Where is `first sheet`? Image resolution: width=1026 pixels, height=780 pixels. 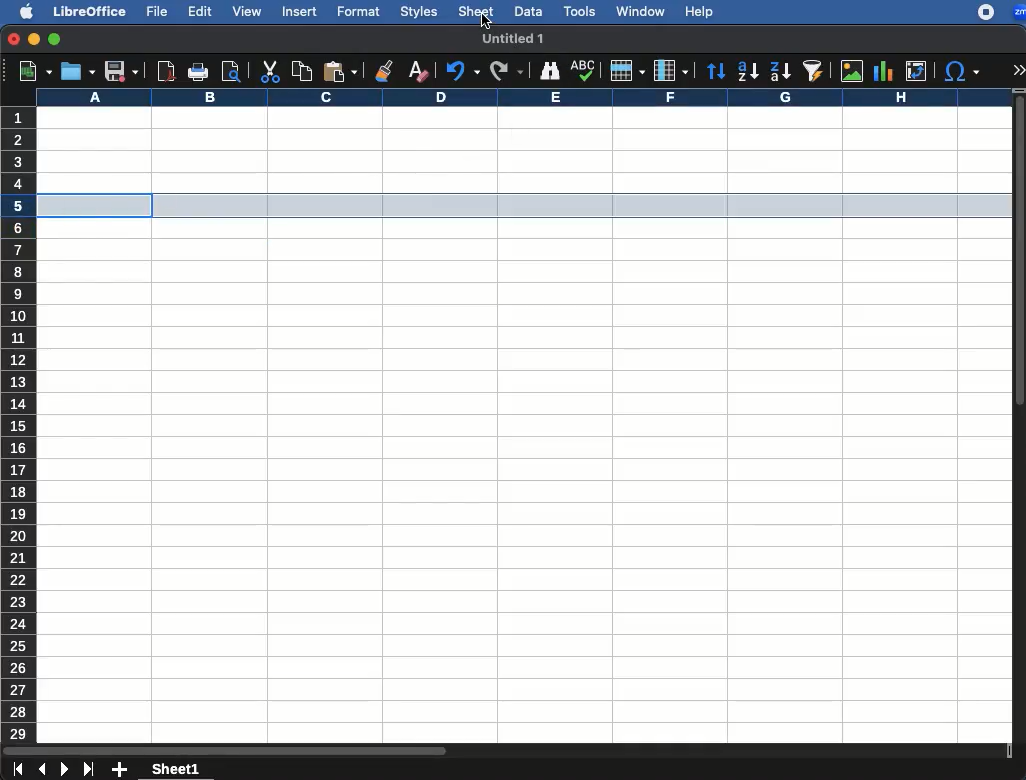
first sheet is located at coordinates (17, 768).